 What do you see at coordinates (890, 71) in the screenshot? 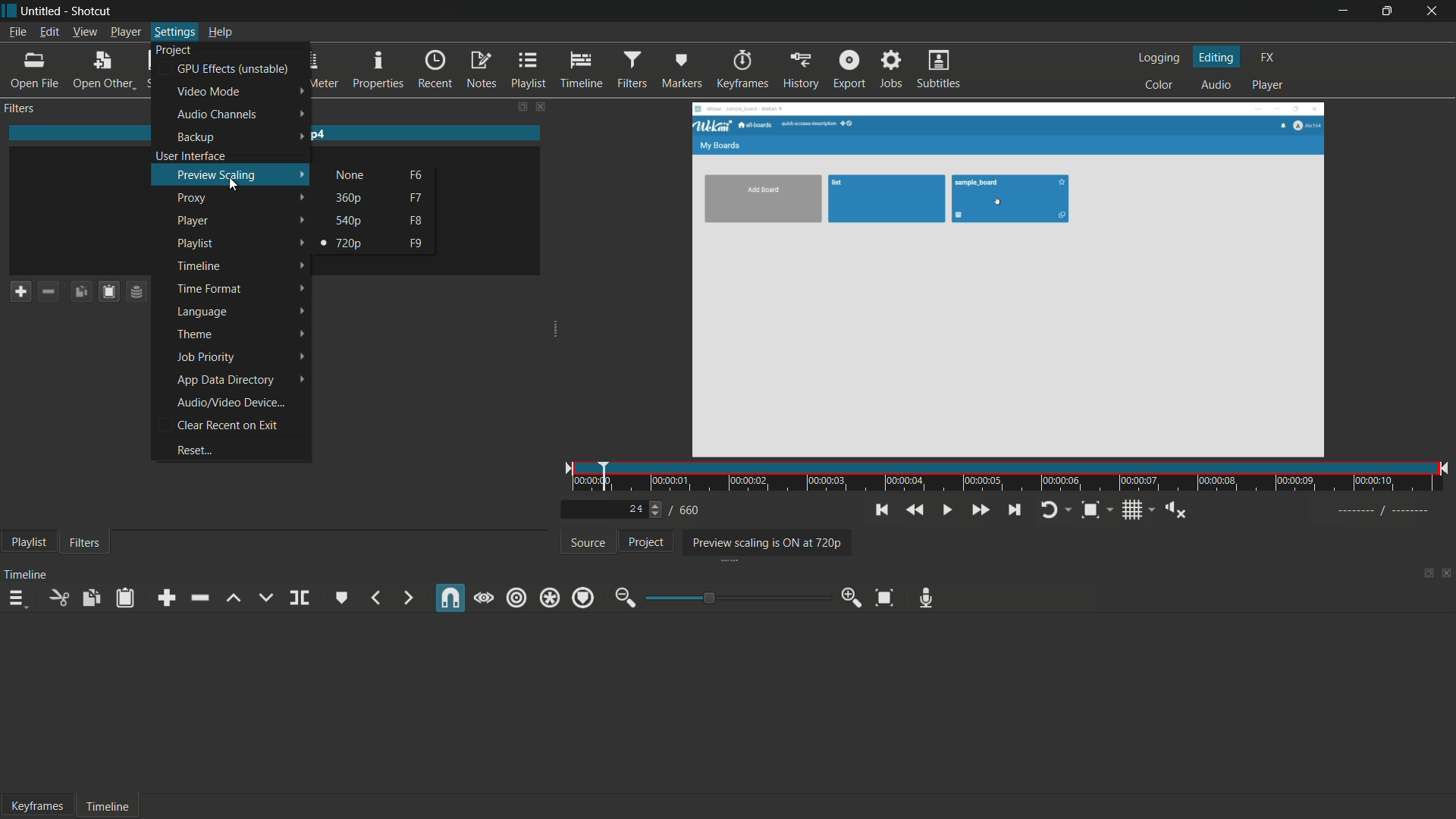
I see `jobs` at bounding box center [890, 71].